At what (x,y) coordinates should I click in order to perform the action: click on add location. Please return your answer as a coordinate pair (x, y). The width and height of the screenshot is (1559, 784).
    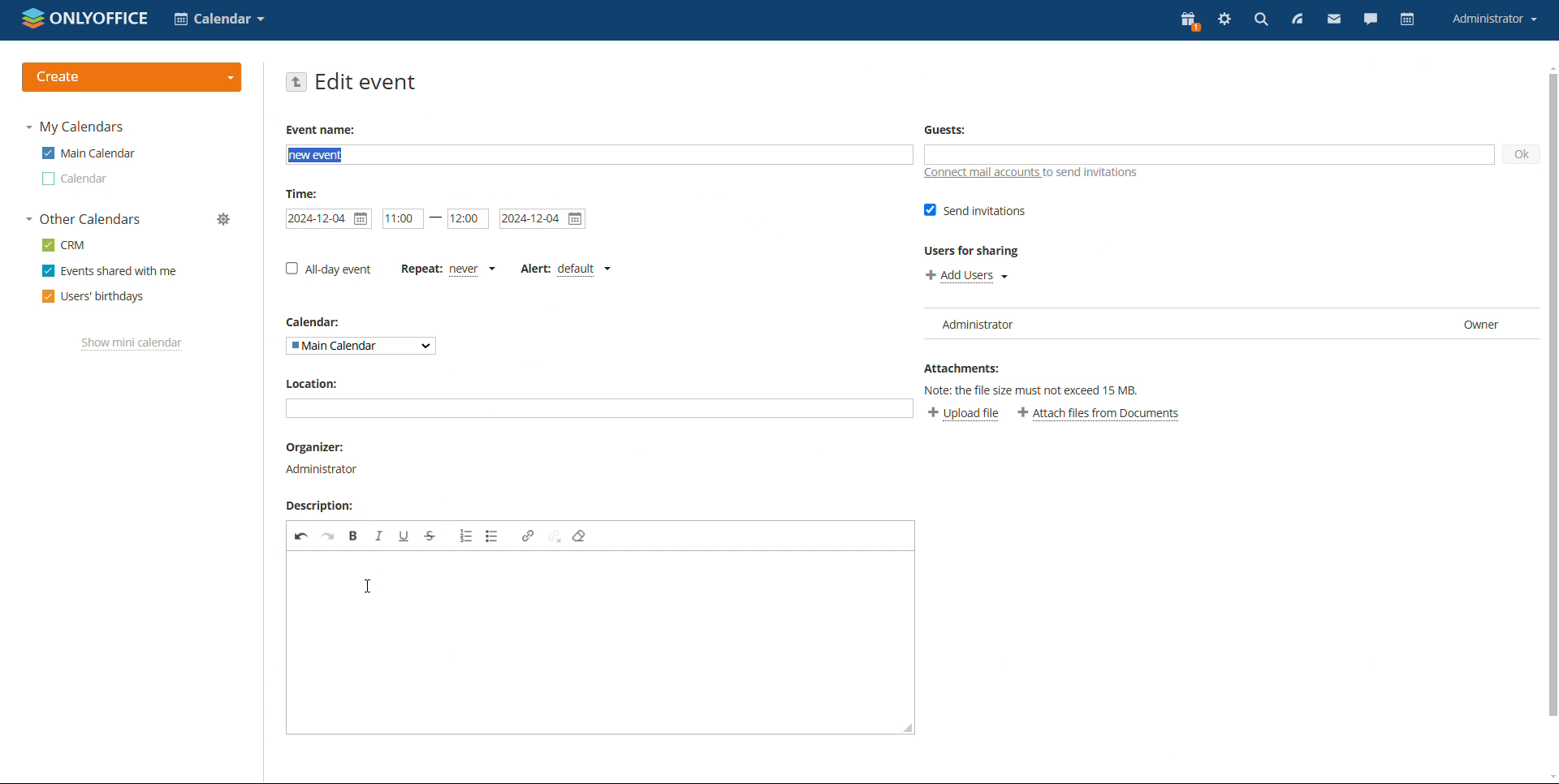
    Looking at the image, I should click on (599, 408).